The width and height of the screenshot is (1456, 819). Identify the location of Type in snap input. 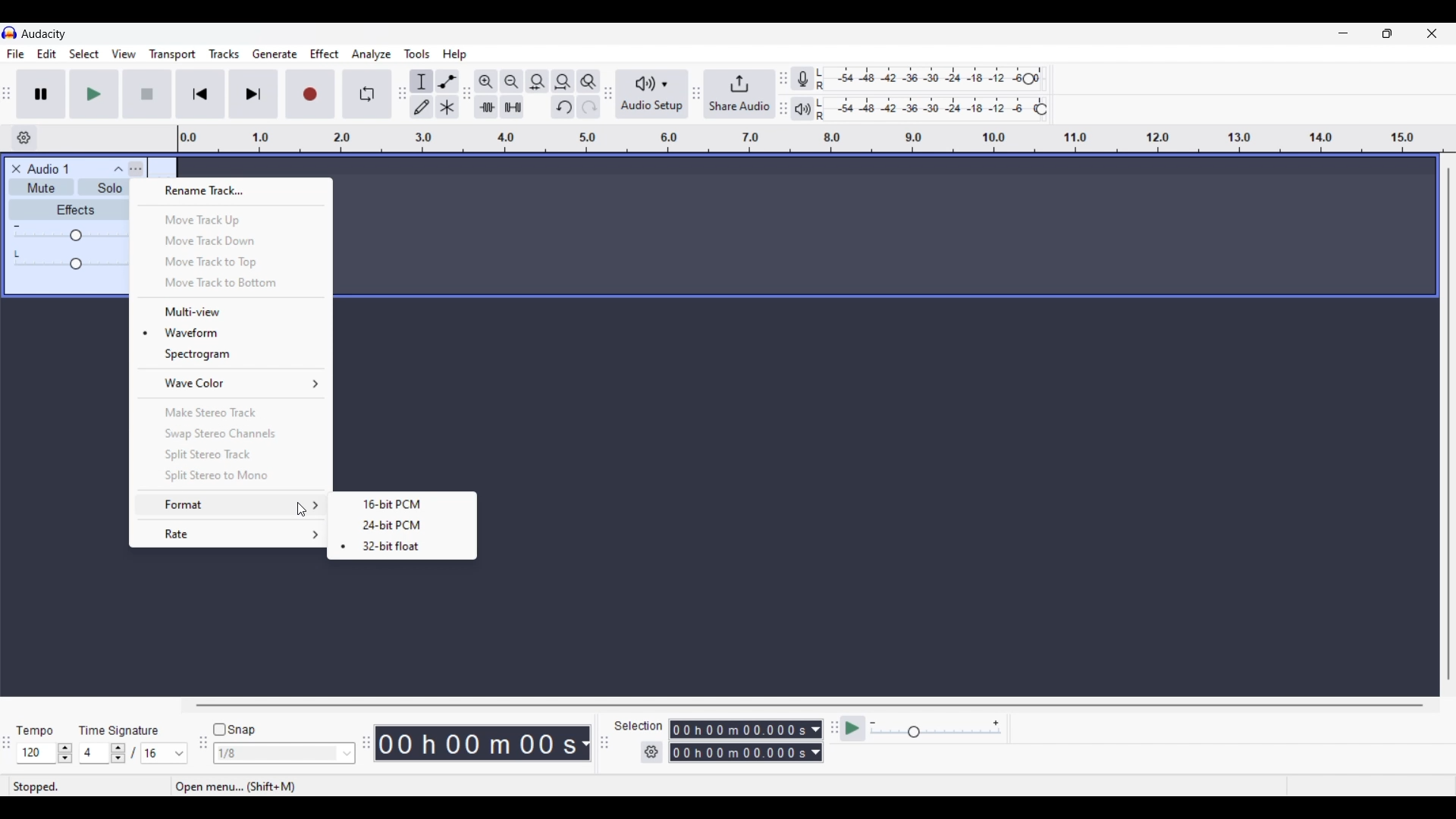
(277, 754).